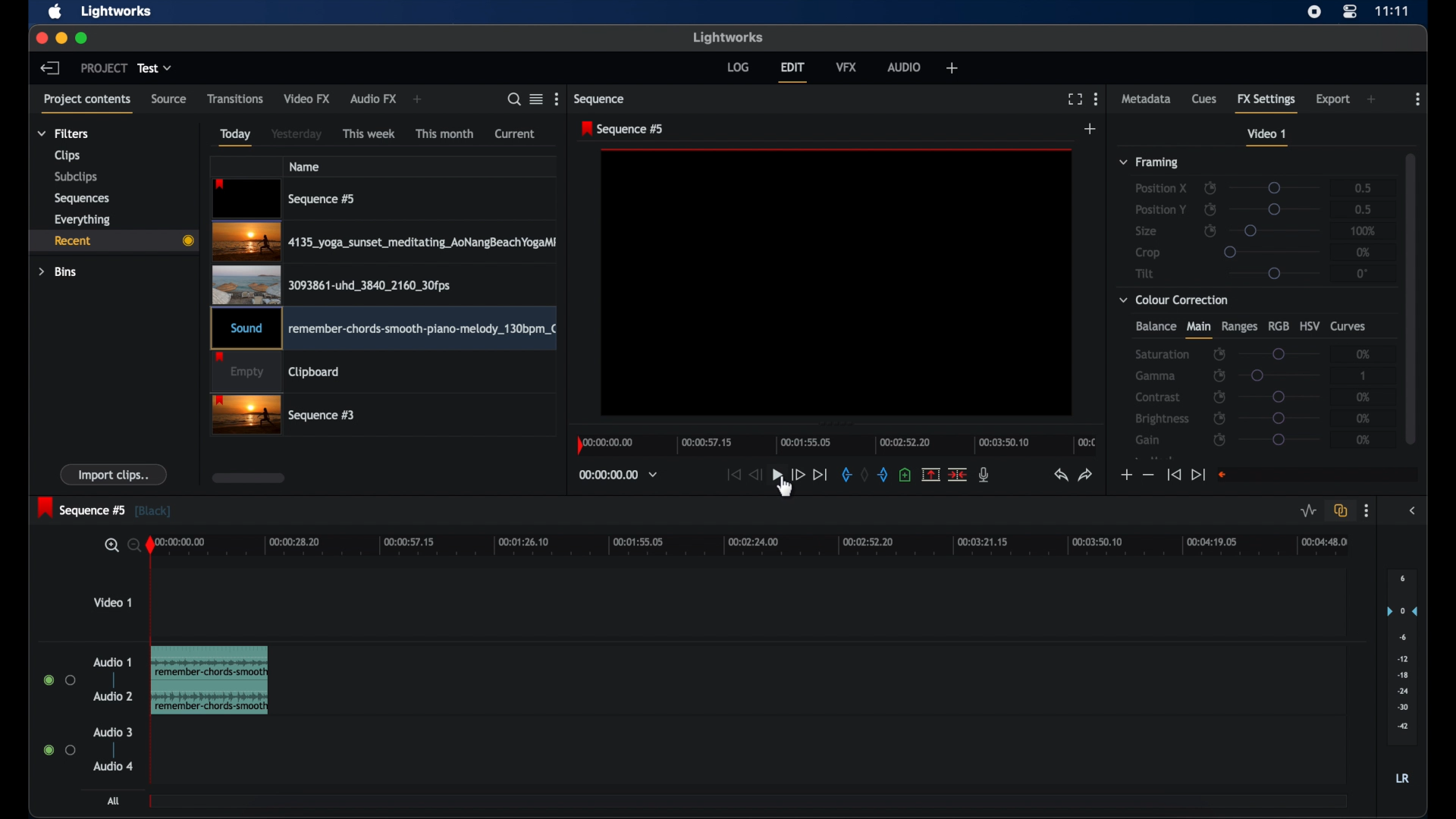 The image size is (1456, 819). I want to click on subclips, so click(77, 177).